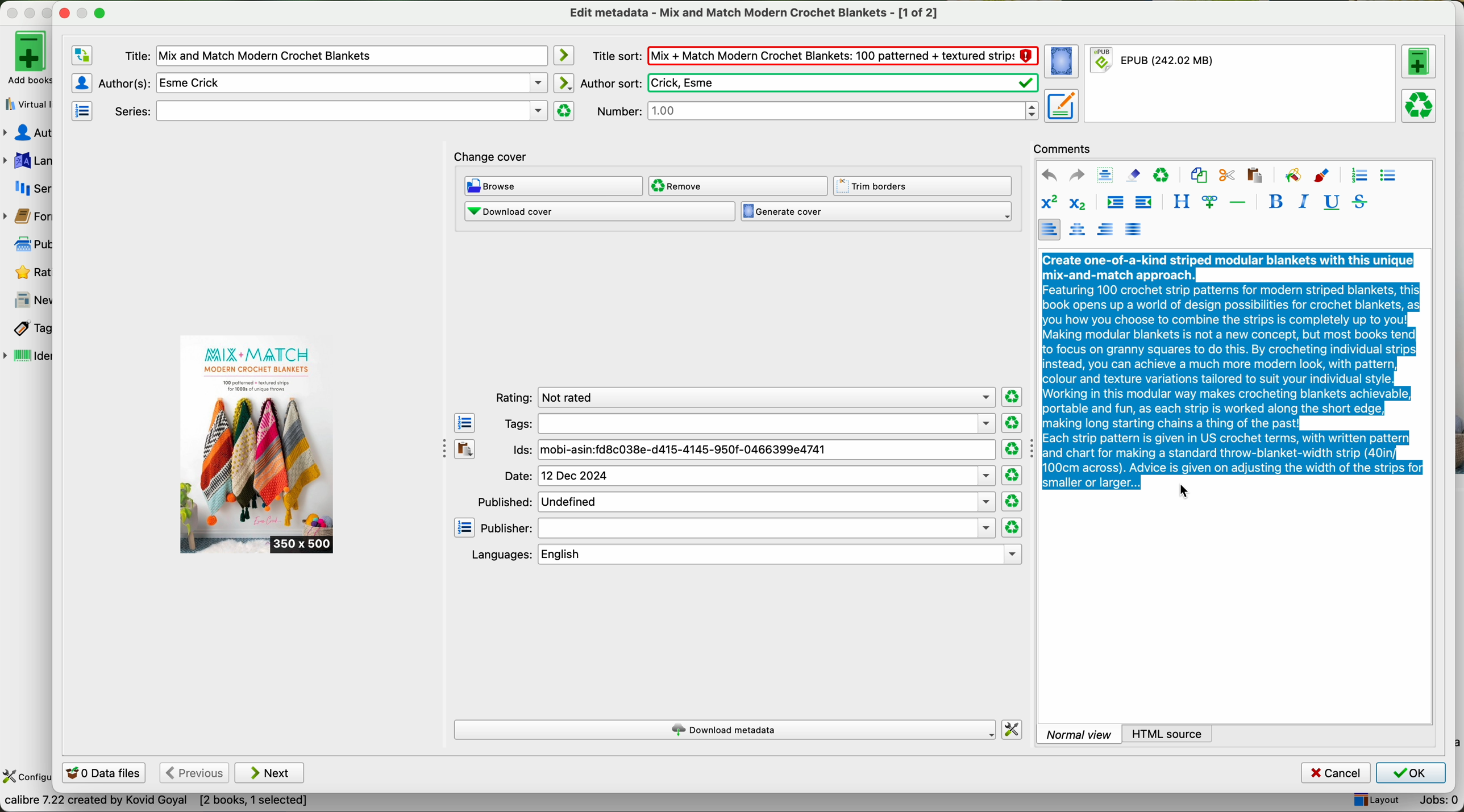 Image resolution: width=1464 pixels, height=812 pixels. Describe the element at coordinates (193, 773) in the screenshot. I see `previous` at that location.